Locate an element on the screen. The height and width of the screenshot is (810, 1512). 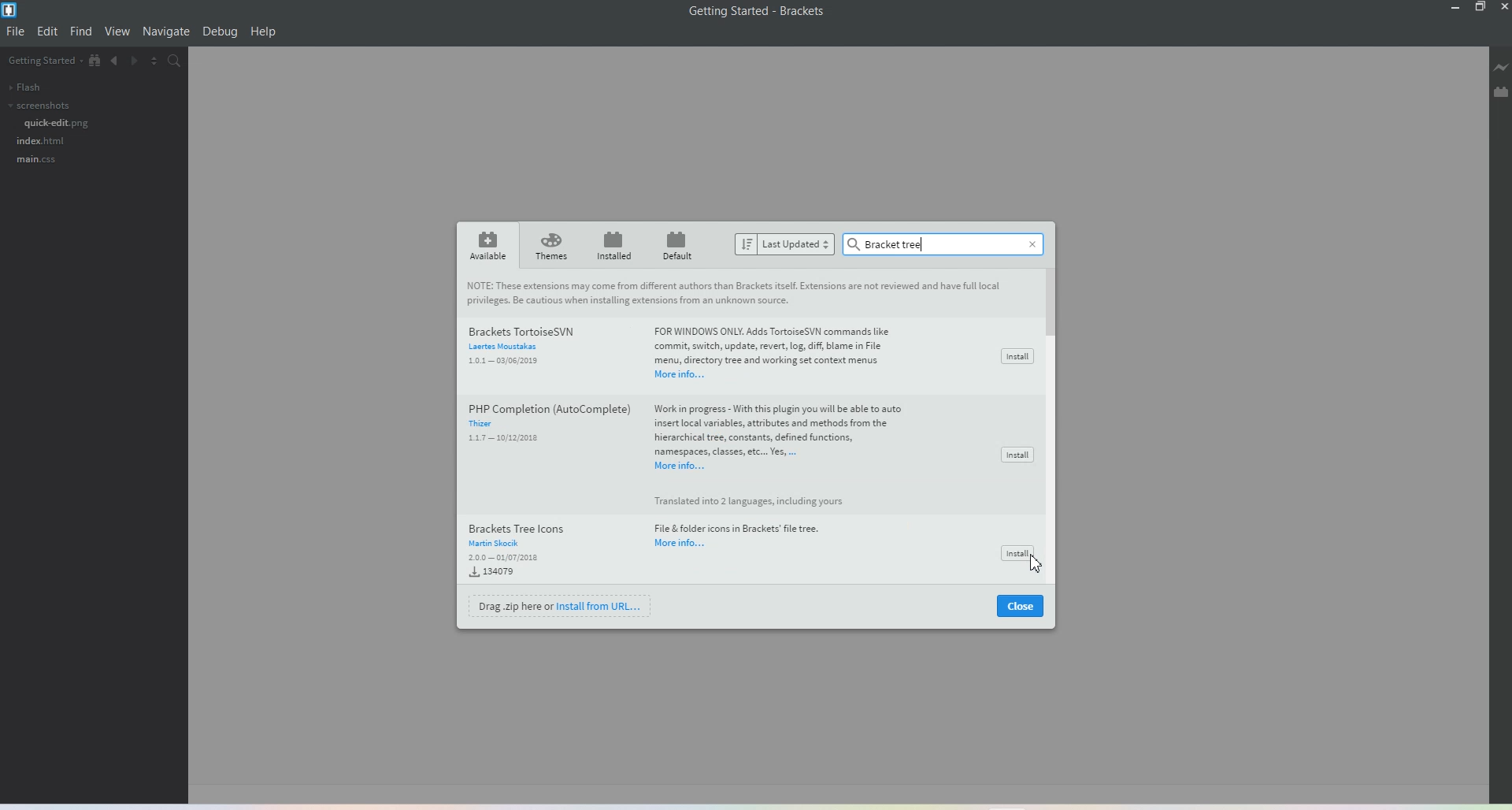
index.html is located at coordinates (42, 140).